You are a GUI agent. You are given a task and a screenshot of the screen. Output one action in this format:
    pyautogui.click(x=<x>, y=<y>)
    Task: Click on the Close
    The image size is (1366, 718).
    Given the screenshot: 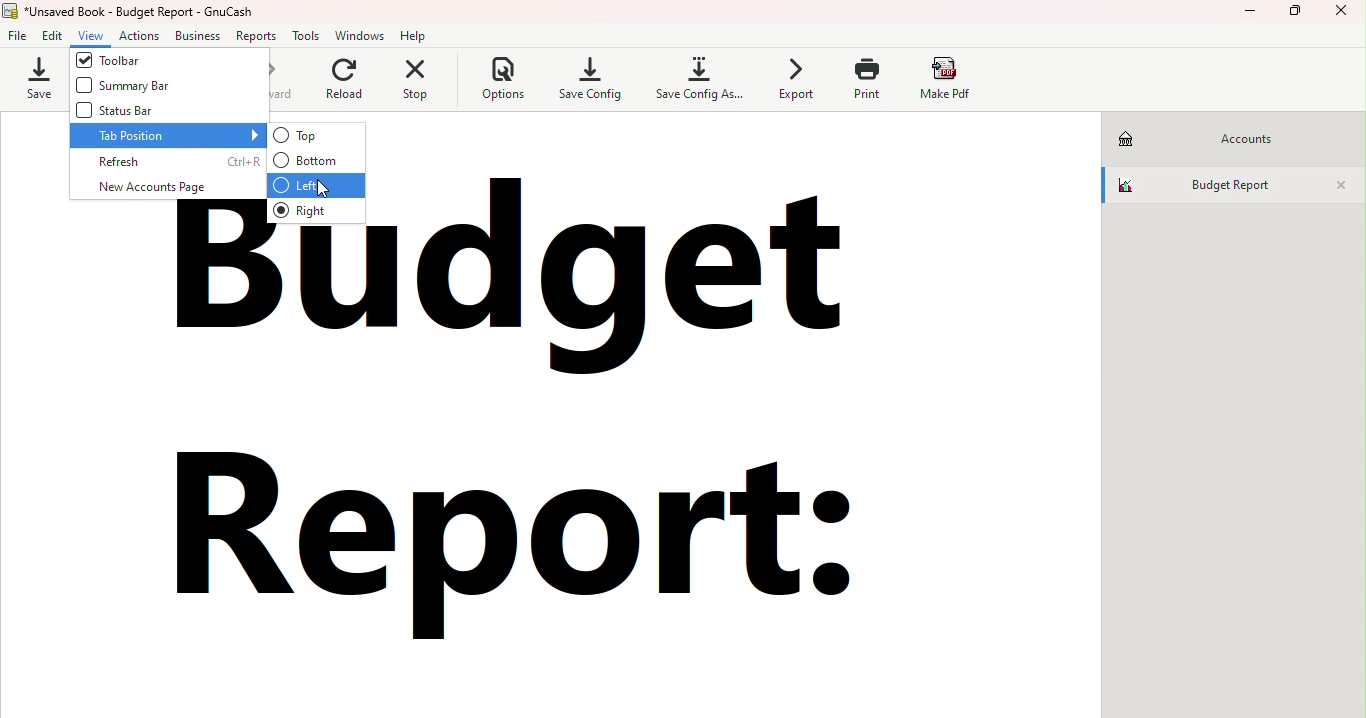 What is the action you would take?
    pyautogui.click(x=1341, y=186)
    